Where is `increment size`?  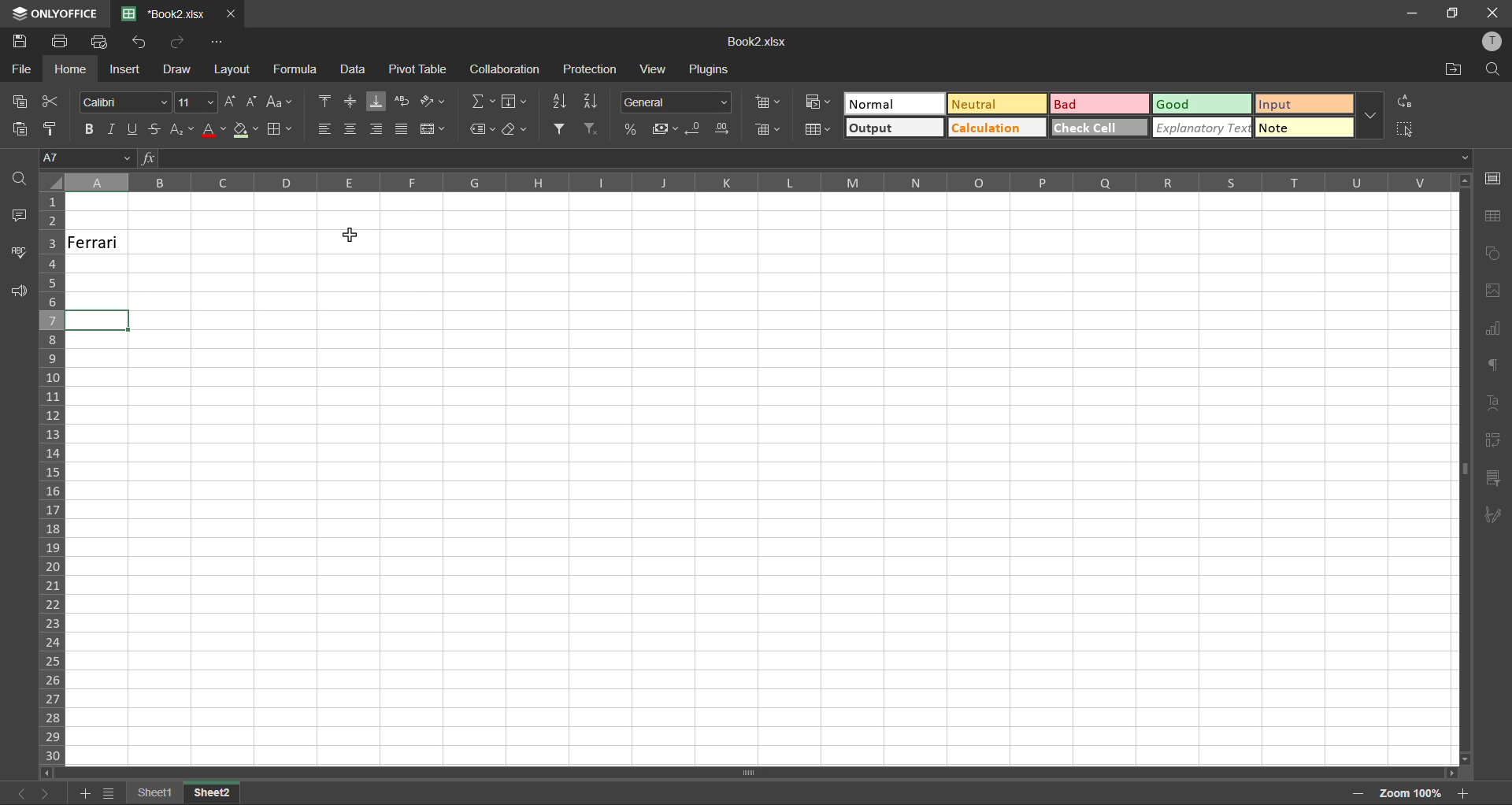
increment size is located at coordinates (232, 105).